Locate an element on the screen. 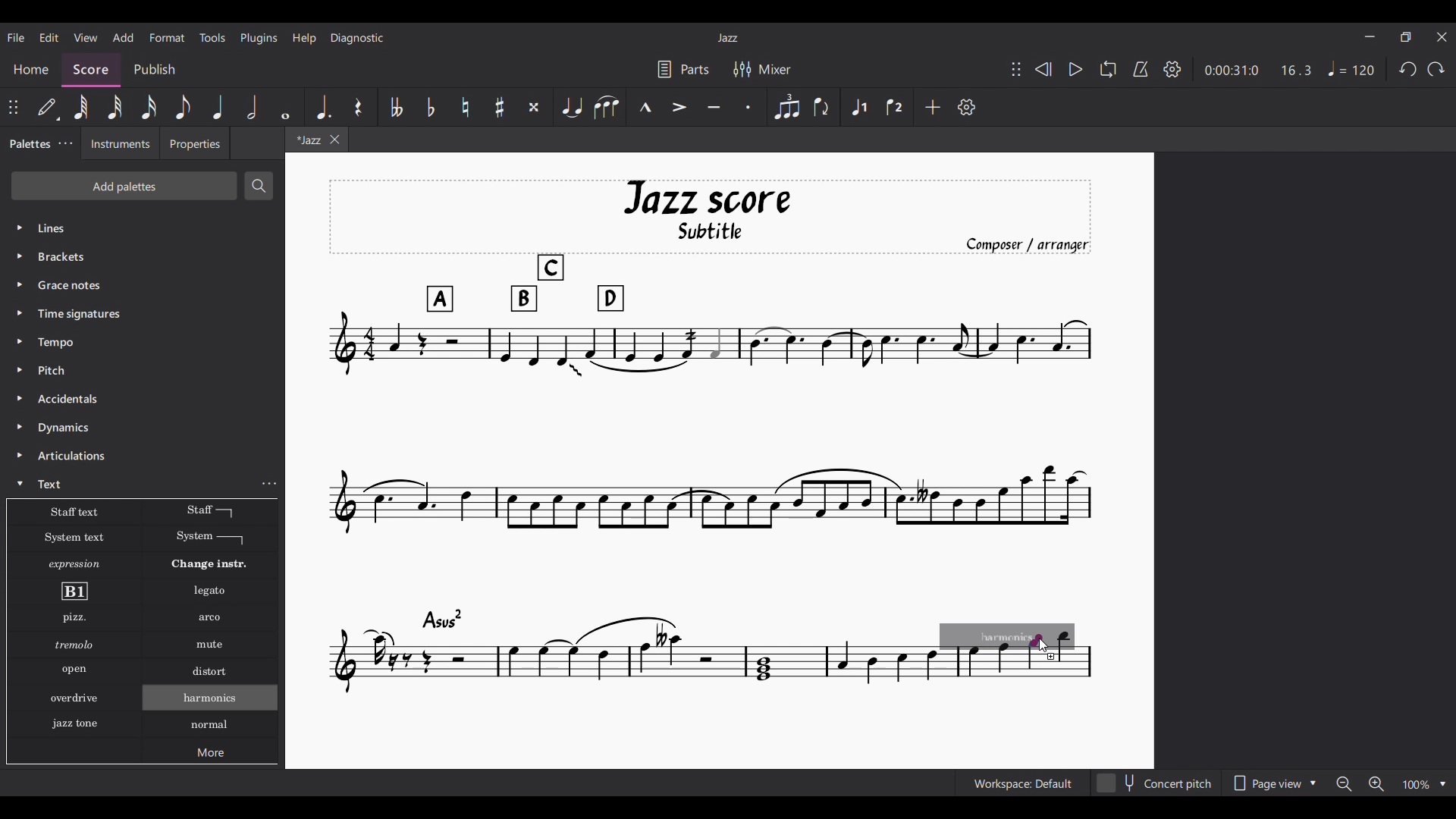  Expression is located at coordinates (77, 564).